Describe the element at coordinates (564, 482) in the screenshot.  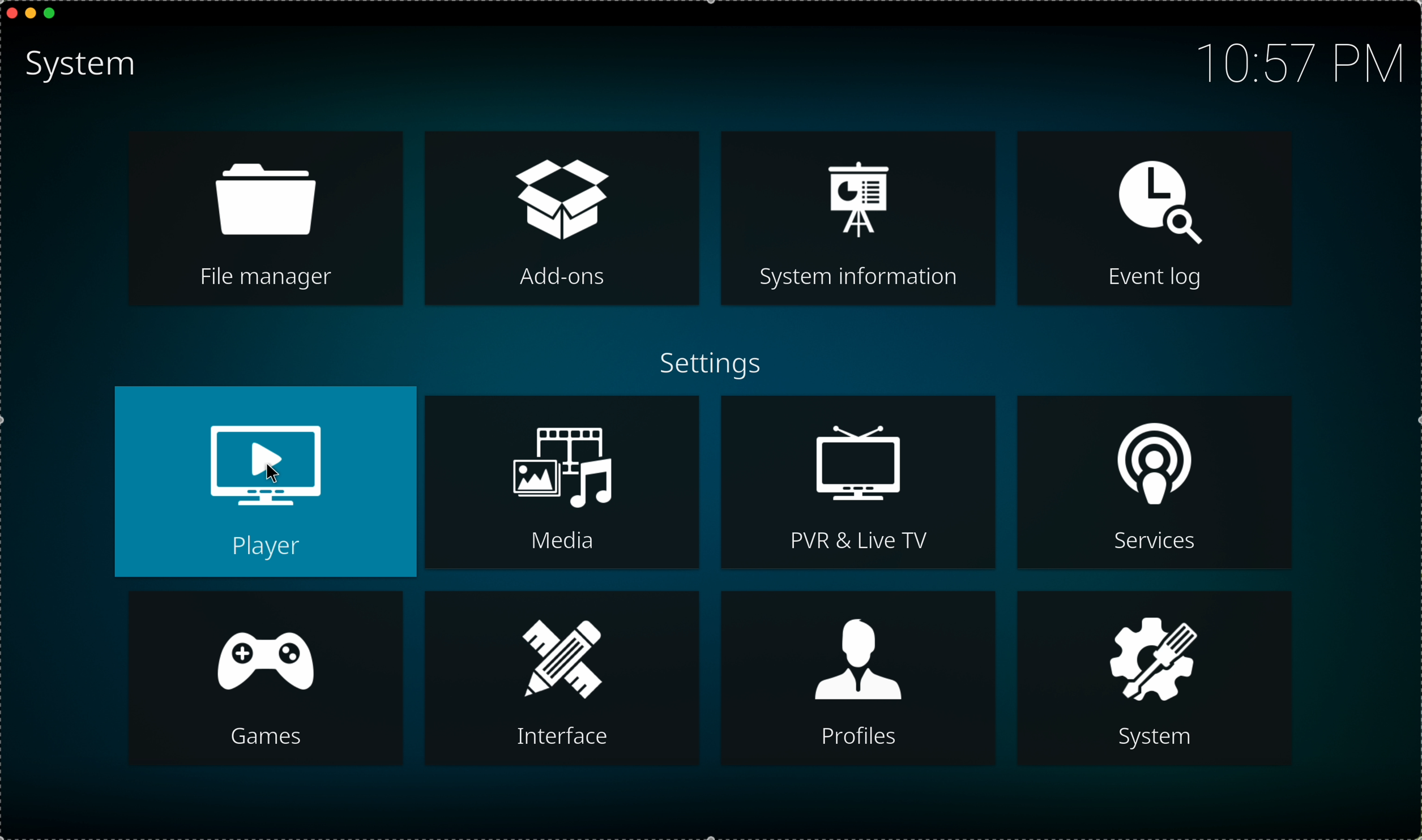
I see `media` at that location.